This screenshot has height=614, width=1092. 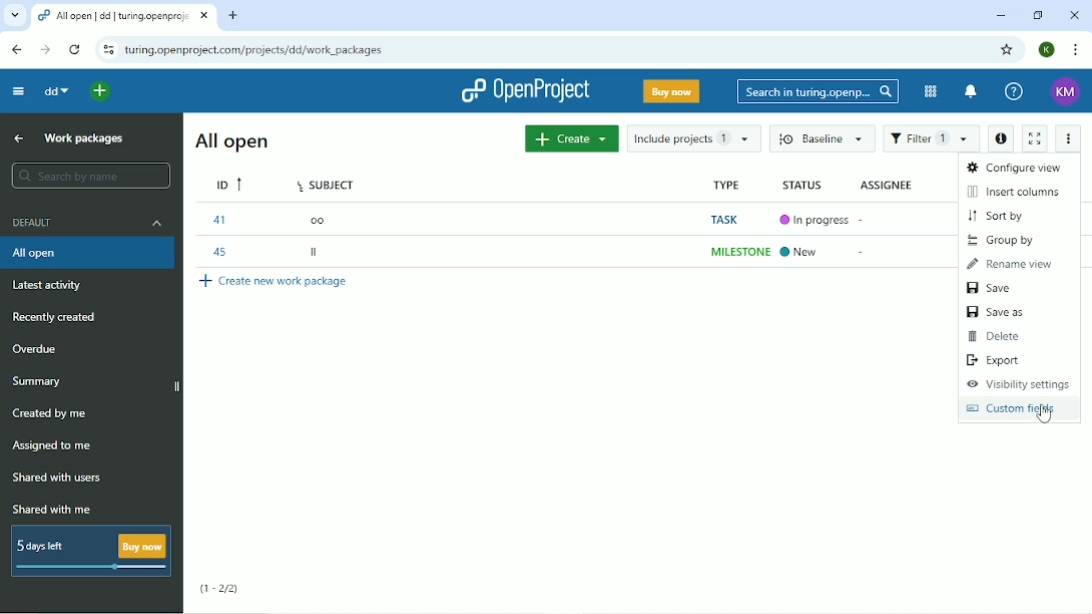 I want to click on In progress, so click(x=815, y=219).